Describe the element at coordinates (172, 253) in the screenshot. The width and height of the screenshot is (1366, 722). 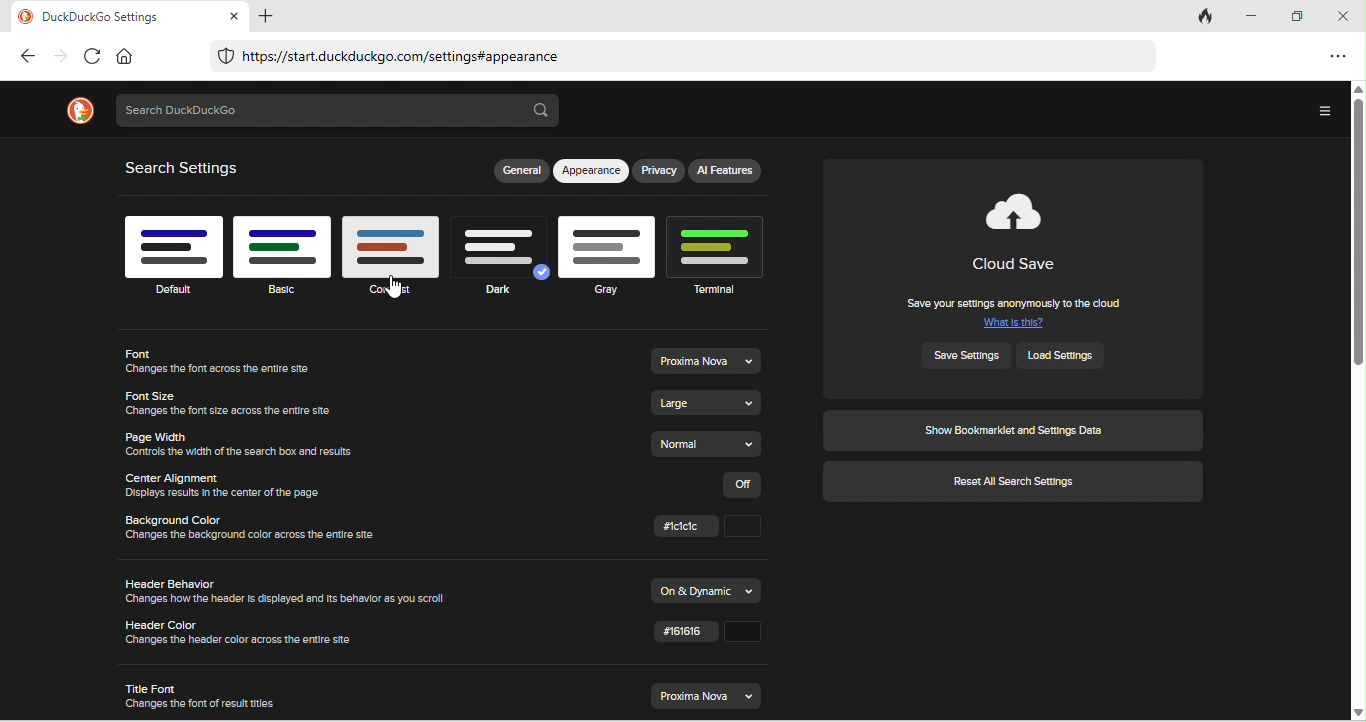
I see `default` at that location.